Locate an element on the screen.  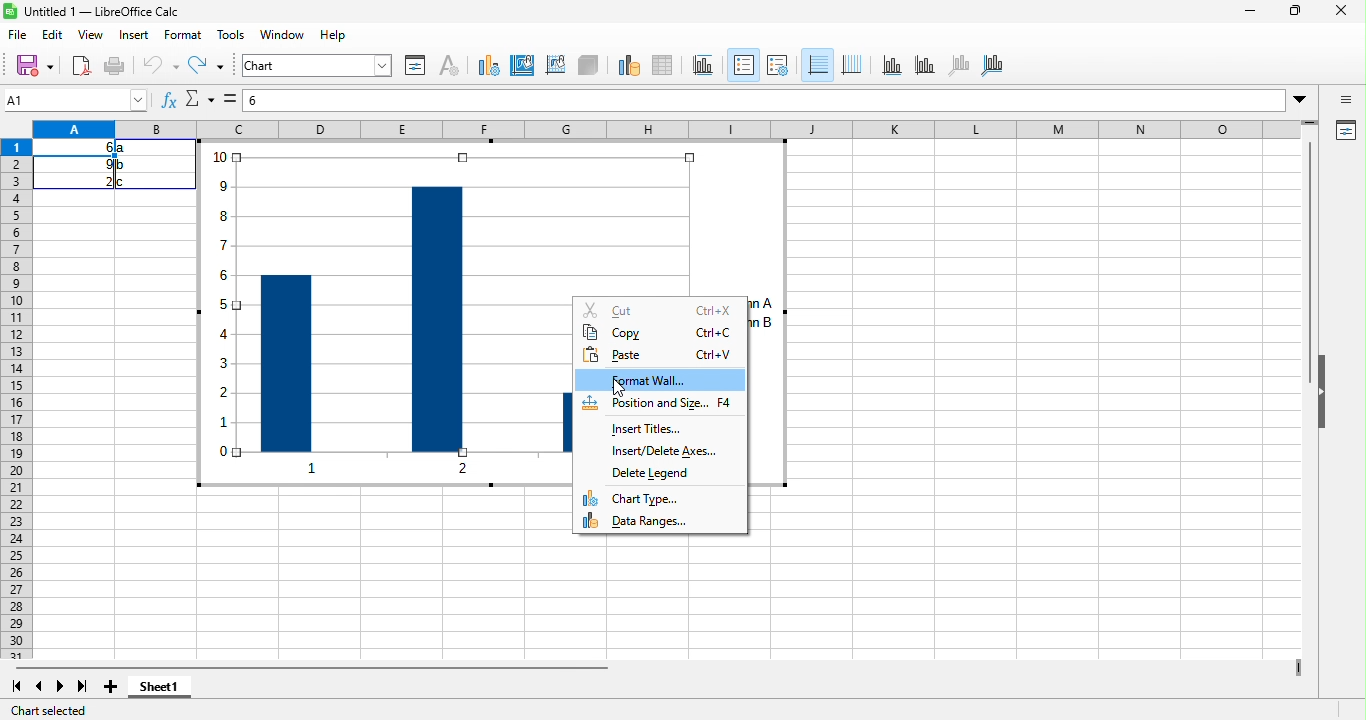
sheet1 is located at coordinates (180, 692).